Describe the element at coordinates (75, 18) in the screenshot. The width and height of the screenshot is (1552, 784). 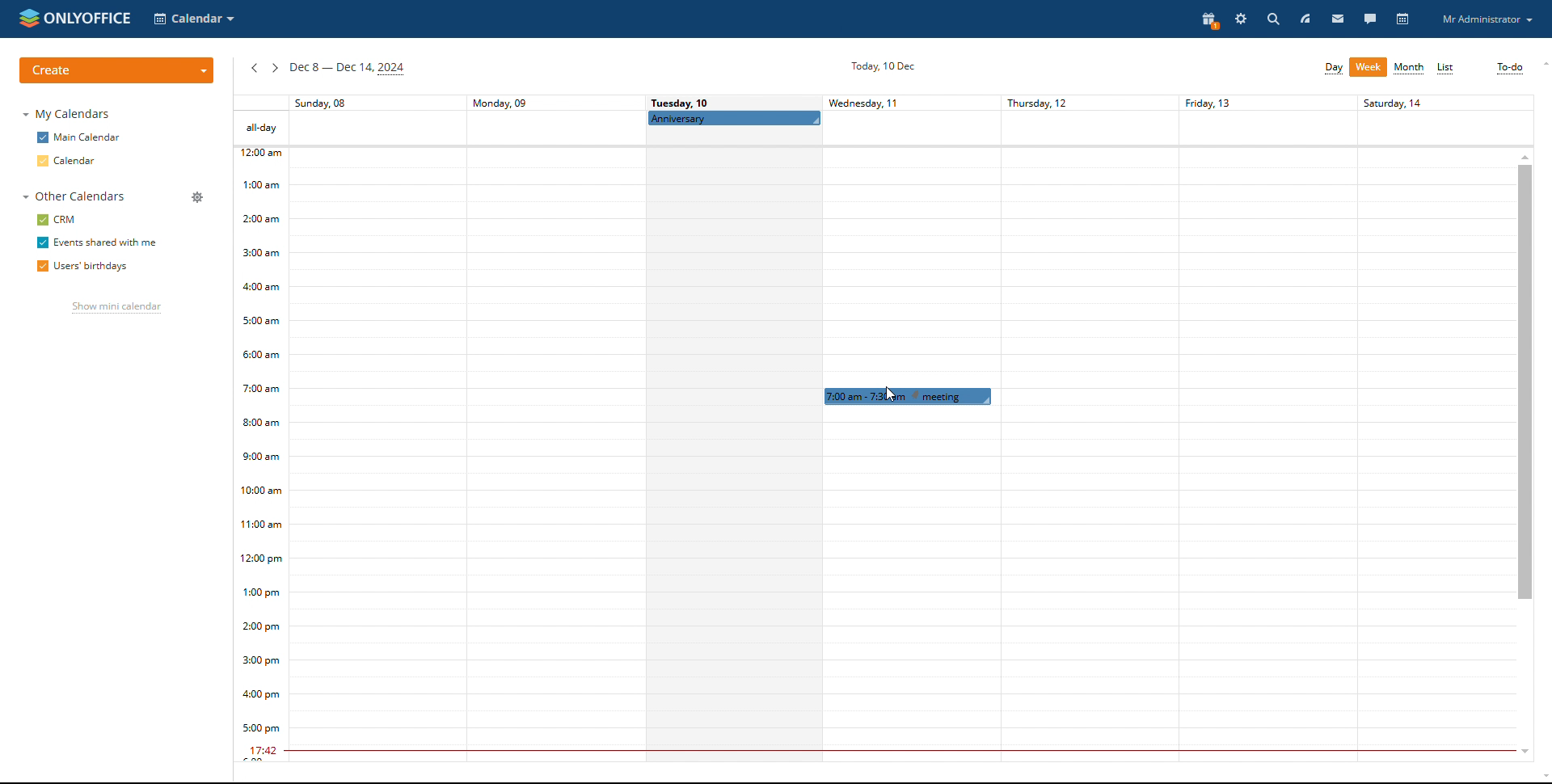
I see `logo` at that location.